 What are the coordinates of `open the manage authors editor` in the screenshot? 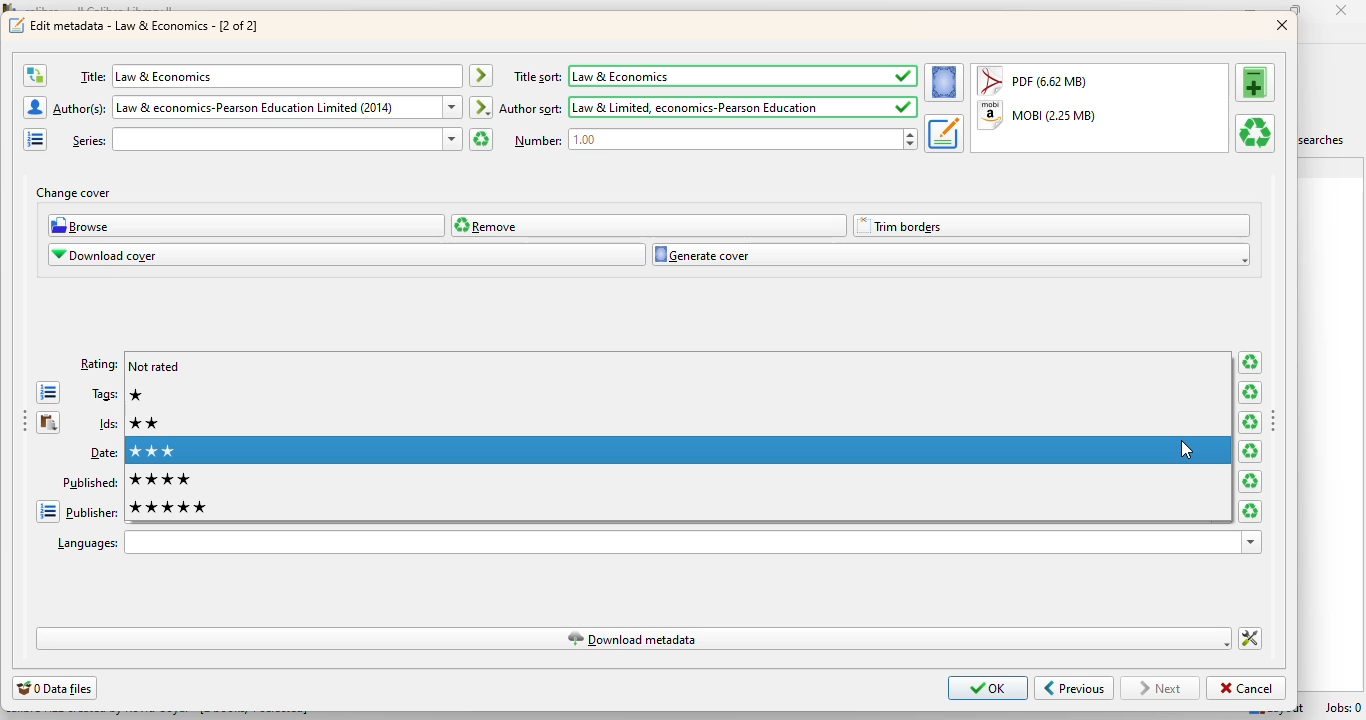 It's located at (35, 107).